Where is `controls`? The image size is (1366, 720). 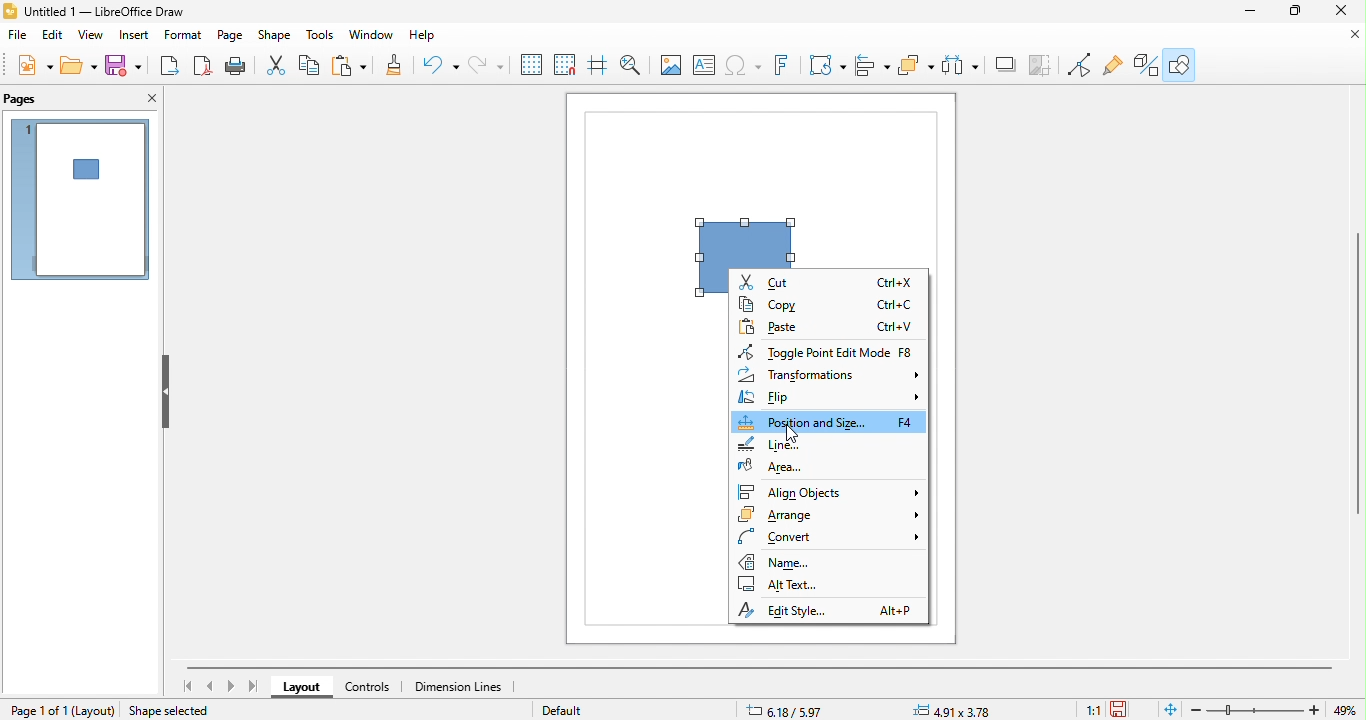 controls is located at coordinates (374, 687).